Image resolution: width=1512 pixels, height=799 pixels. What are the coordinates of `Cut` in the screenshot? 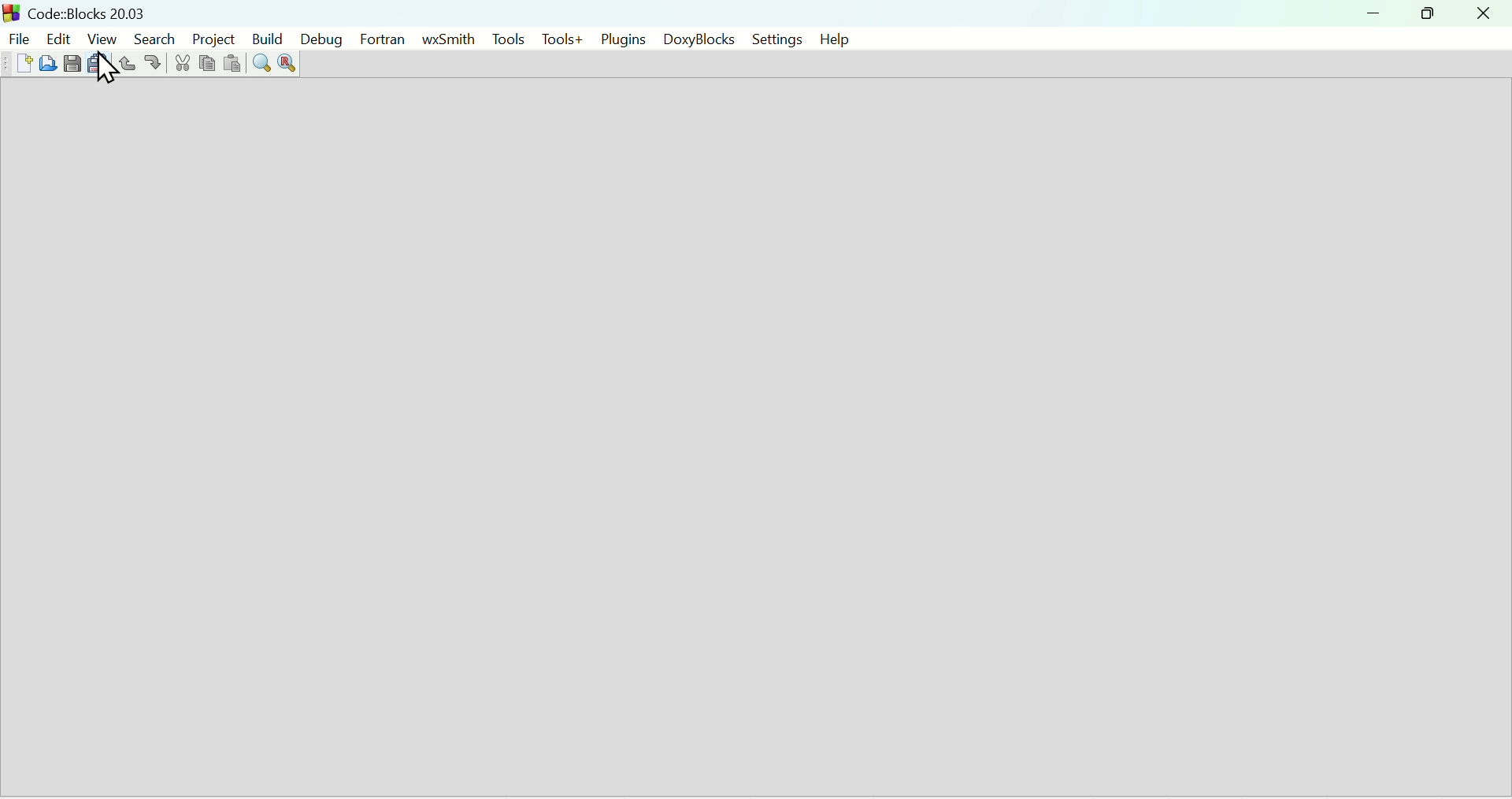 It's located at (179, 64).